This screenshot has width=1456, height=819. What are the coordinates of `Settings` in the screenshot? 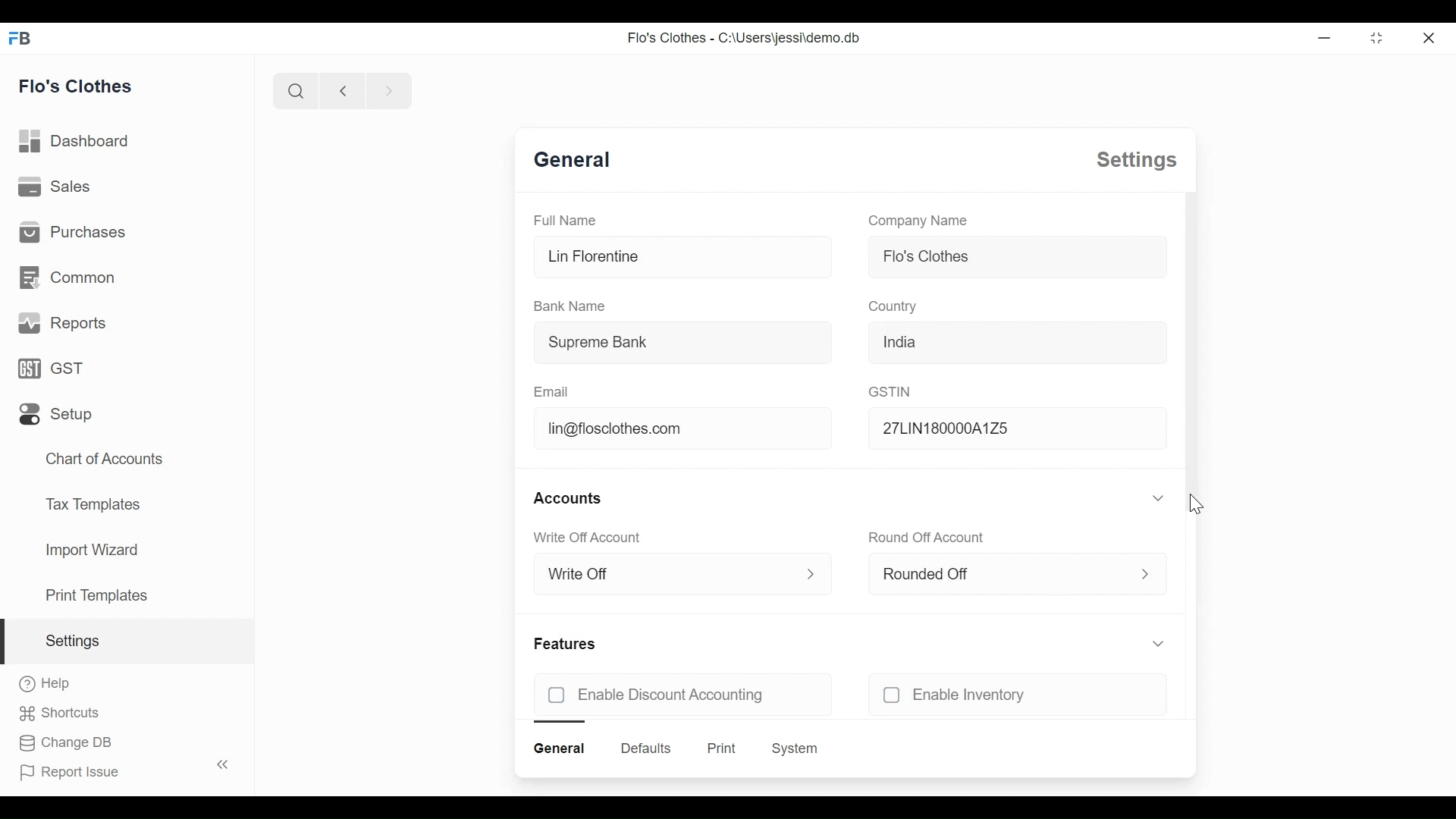 It's located at (1134, 160).